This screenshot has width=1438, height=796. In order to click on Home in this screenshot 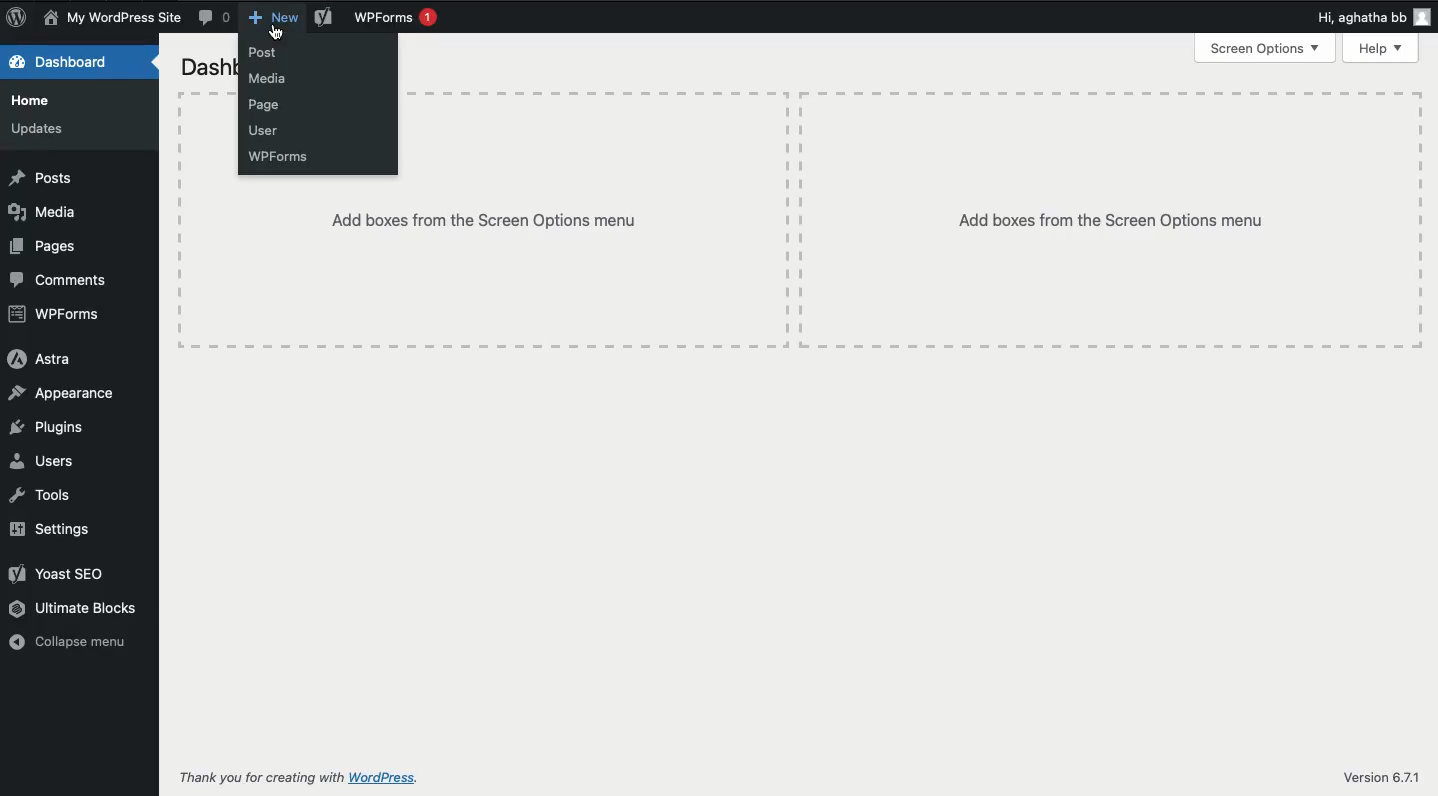, I will do `click(31, 99)`.